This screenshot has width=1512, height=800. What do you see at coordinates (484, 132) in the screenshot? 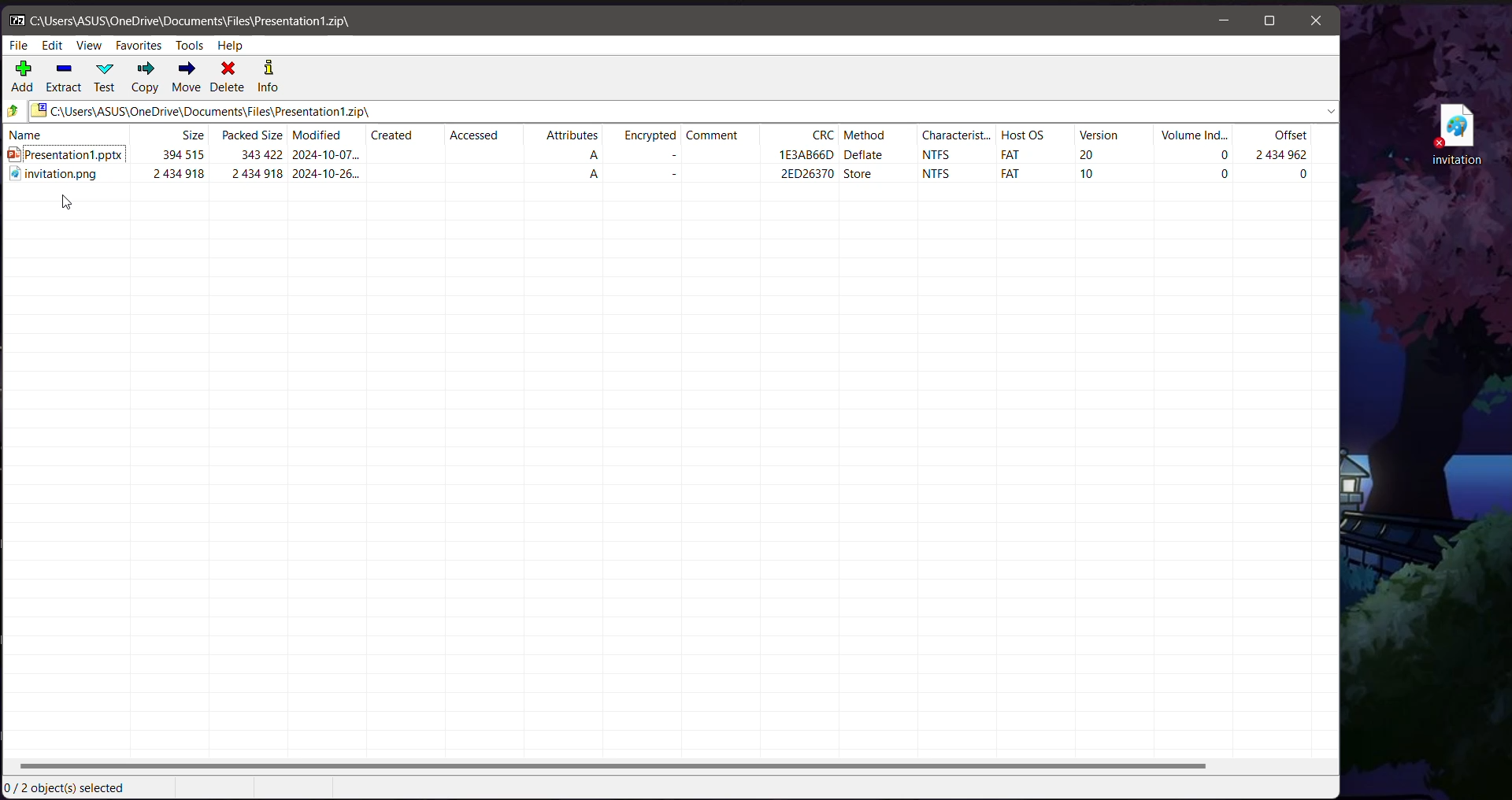
I see `Accessed` at bounding box center [484, 132].